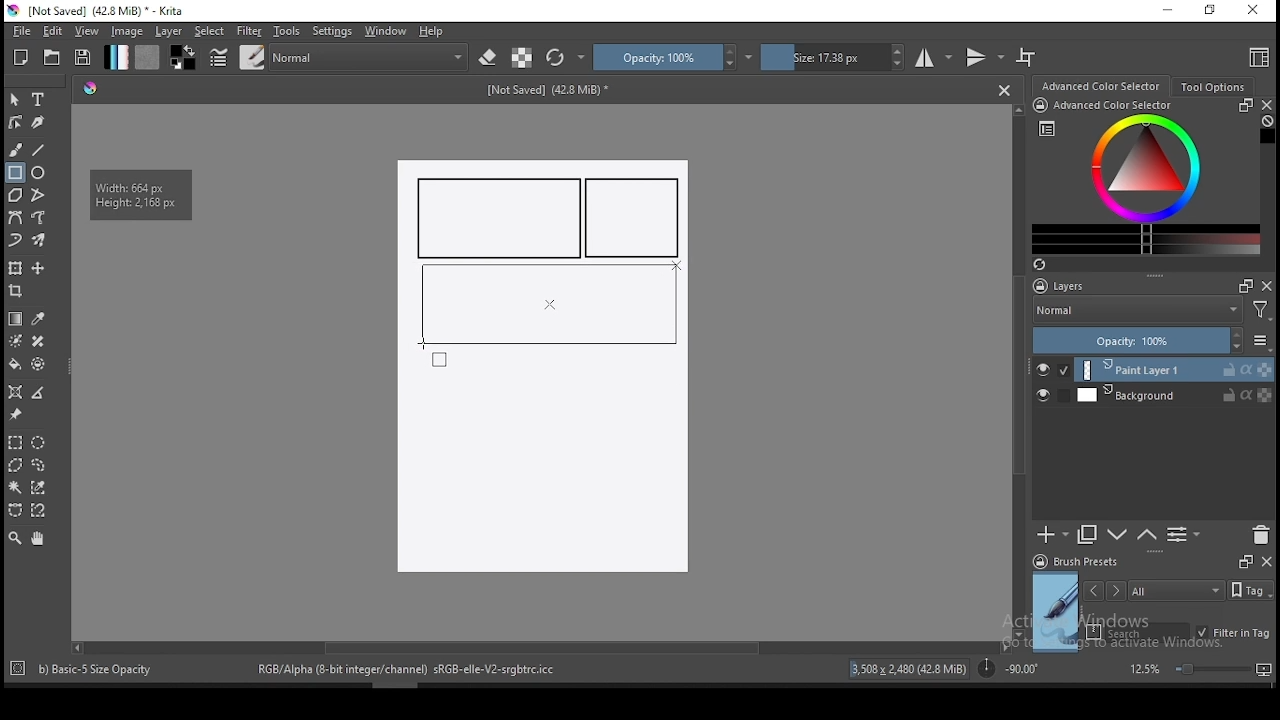 The height and width of the screenshot is (720, 1280). Describe the element at coordinates (673, 57) in the screenshot. I see `opacity` at that location.